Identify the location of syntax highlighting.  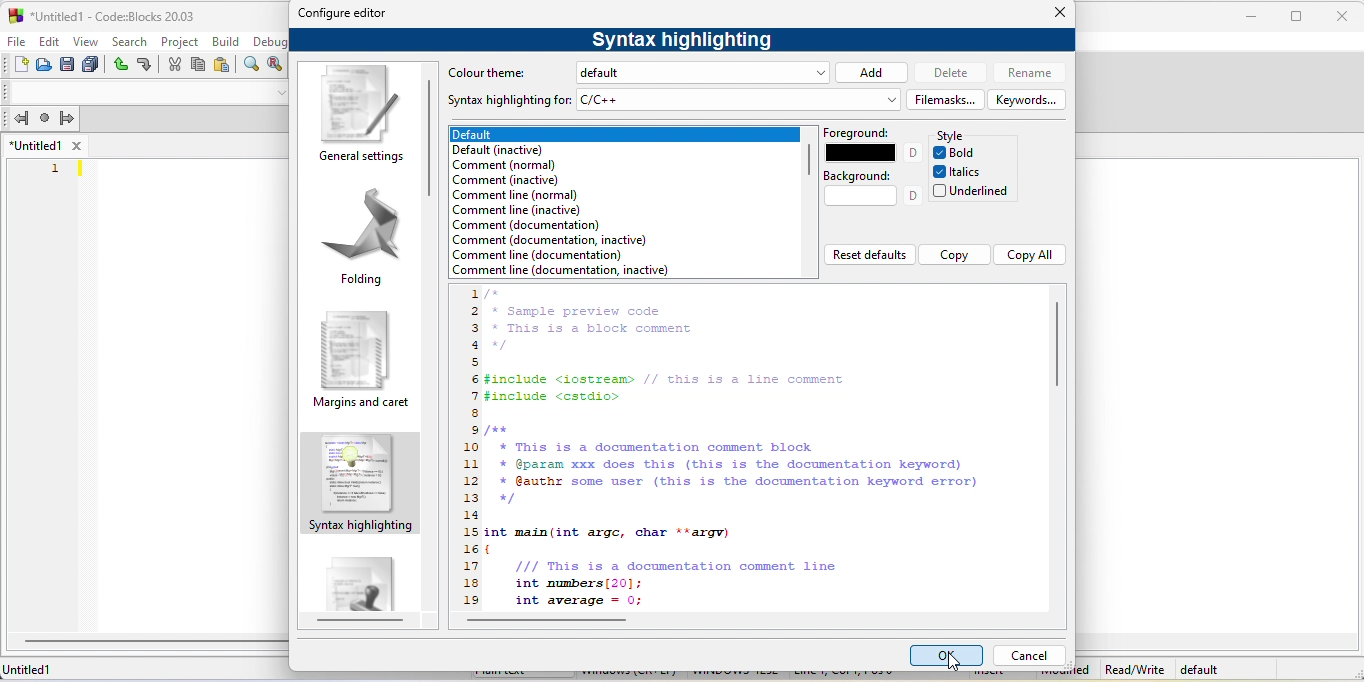
(361, 485).